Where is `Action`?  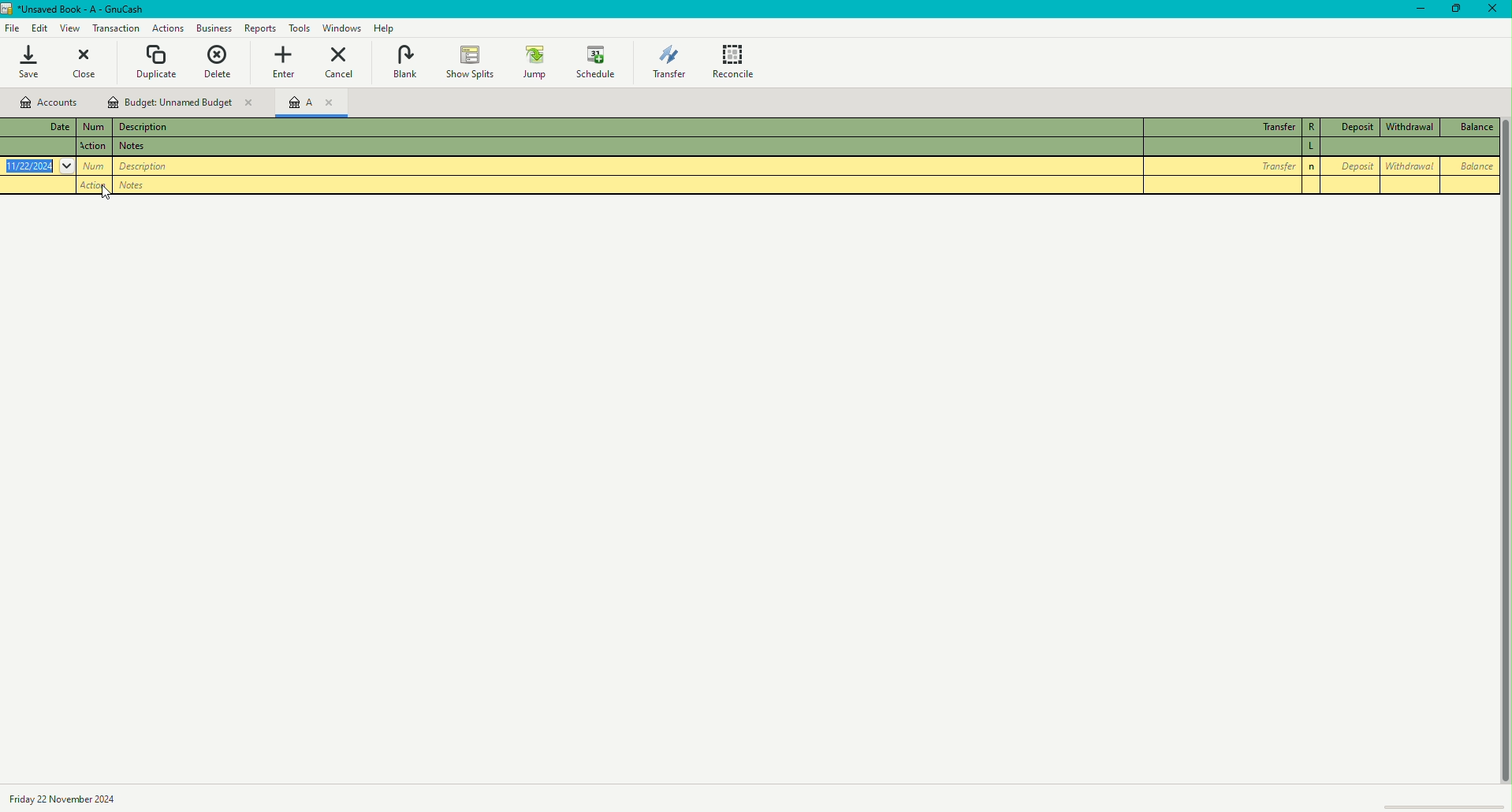 Action is located at coordinates (166, 28).